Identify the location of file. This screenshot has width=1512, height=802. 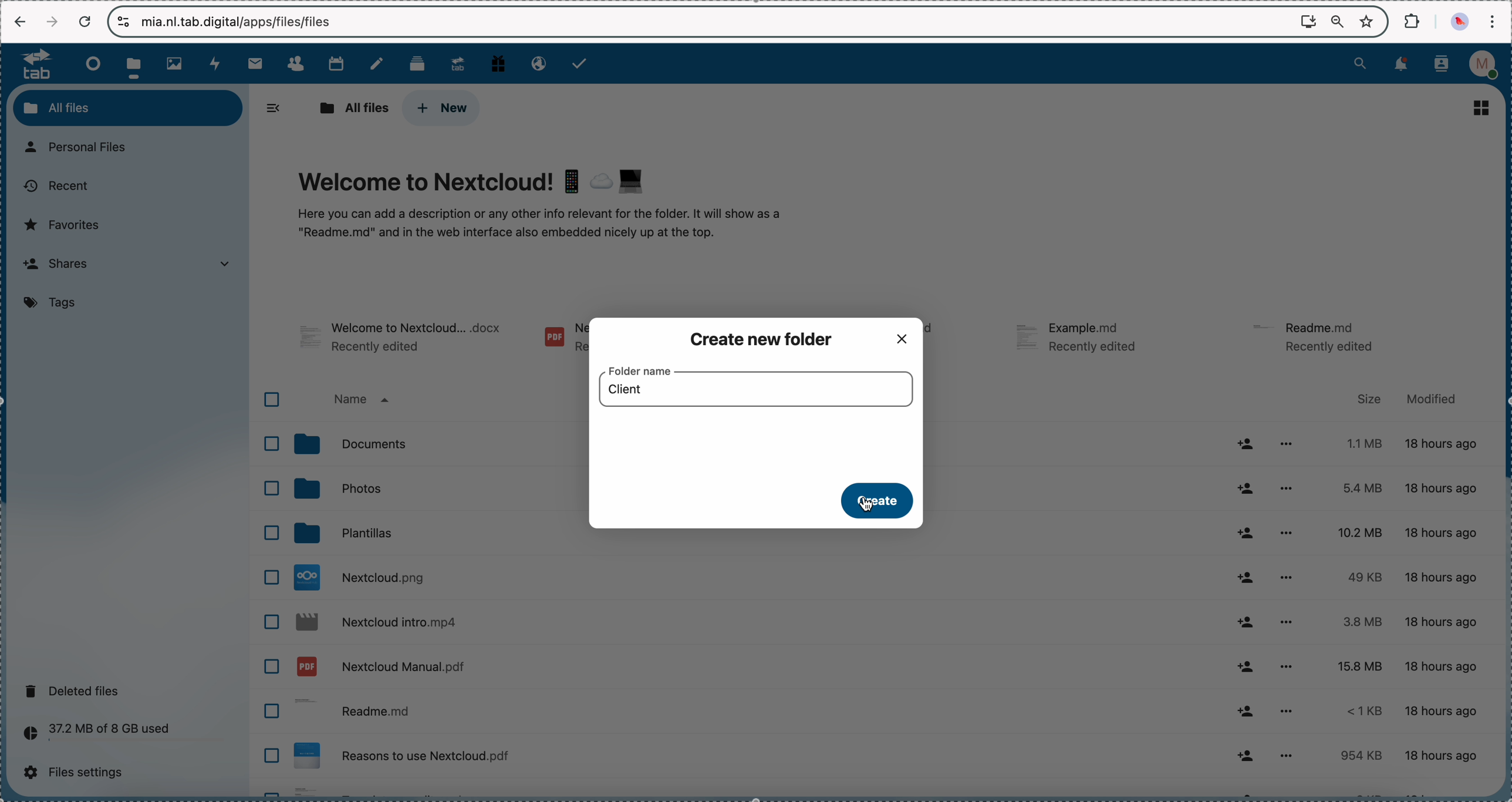
(562, 340).